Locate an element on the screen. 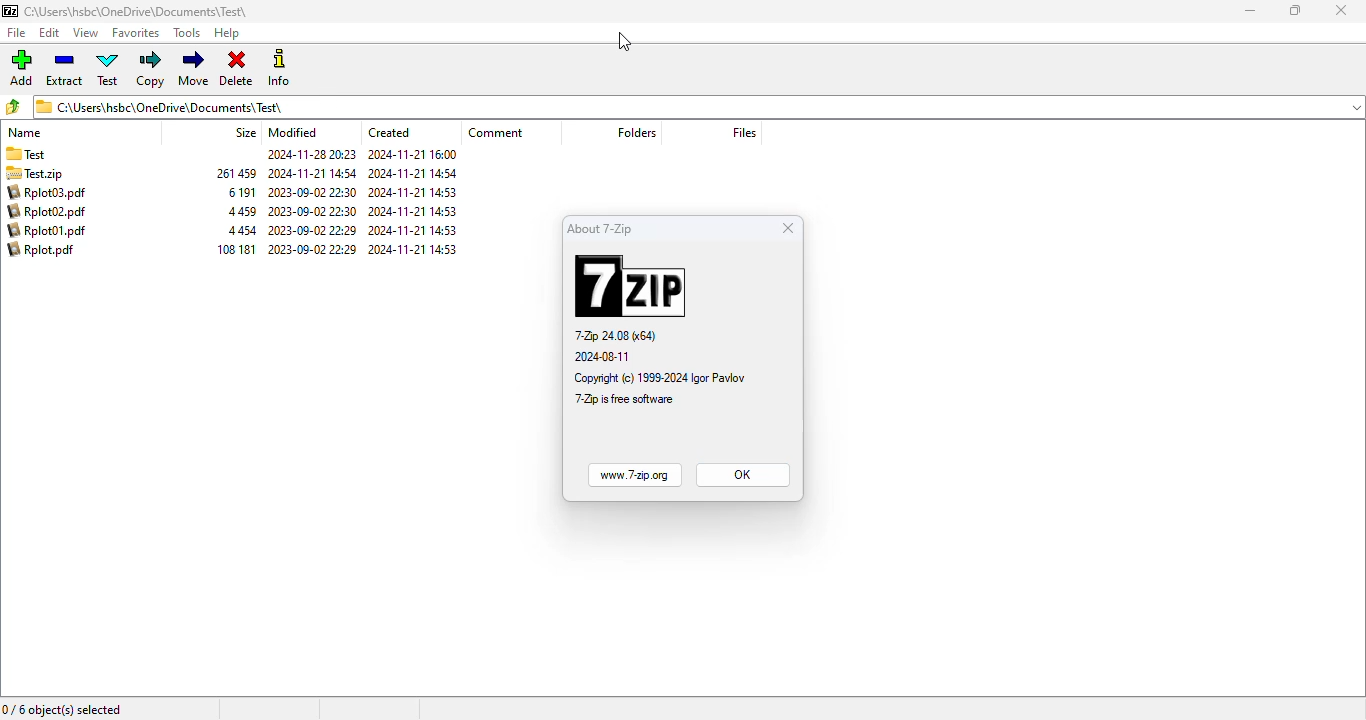 This screenshot has height=720, width=1366. delete is located at coordinates (237, 69).